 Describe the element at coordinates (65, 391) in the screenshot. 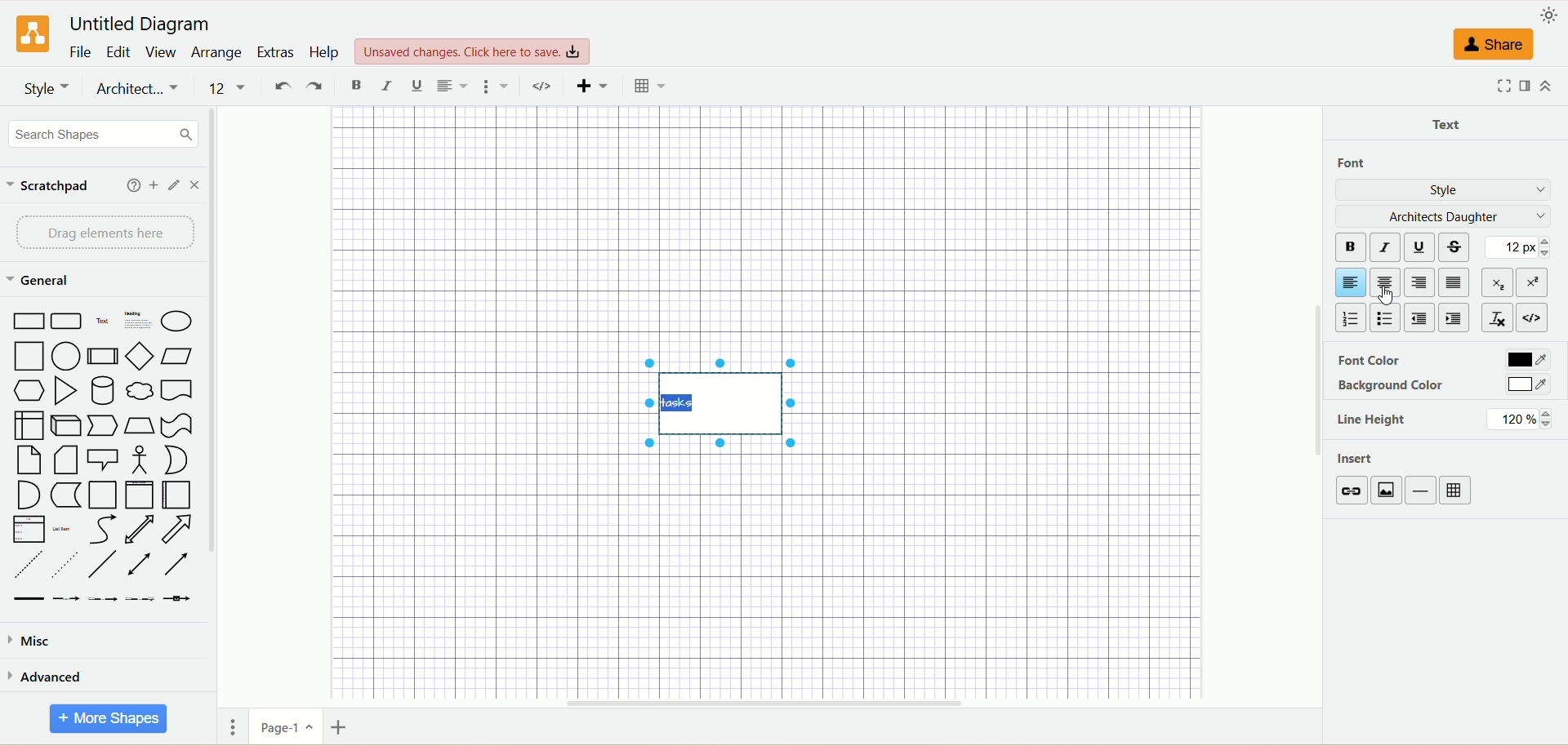

I see `Triangle` at that location.